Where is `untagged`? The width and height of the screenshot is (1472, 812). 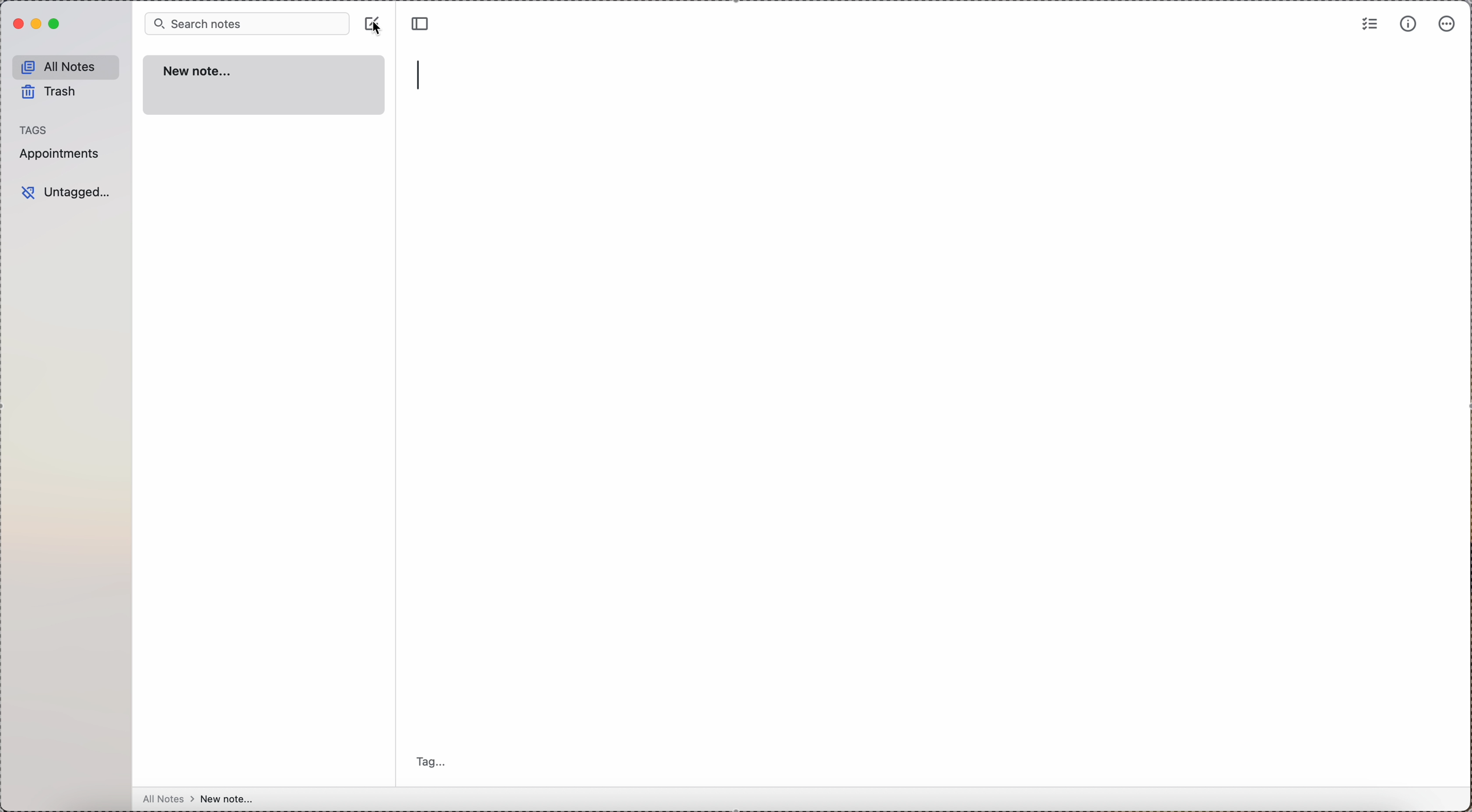
untagged is located at coordinates (67, 193).